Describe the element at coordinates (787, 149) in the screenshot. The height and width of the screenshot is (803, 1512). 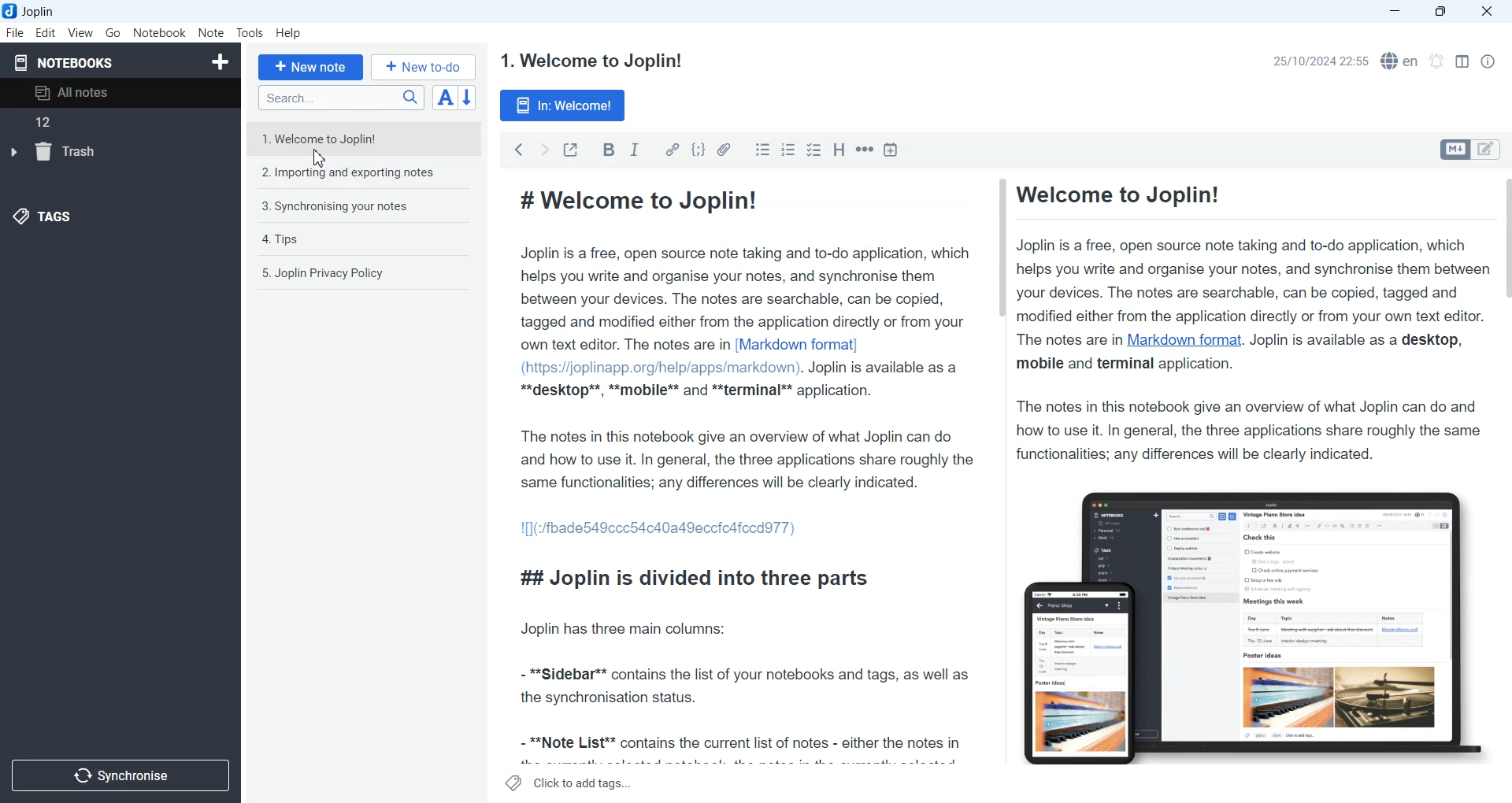
I see `Numbered list` at that location.